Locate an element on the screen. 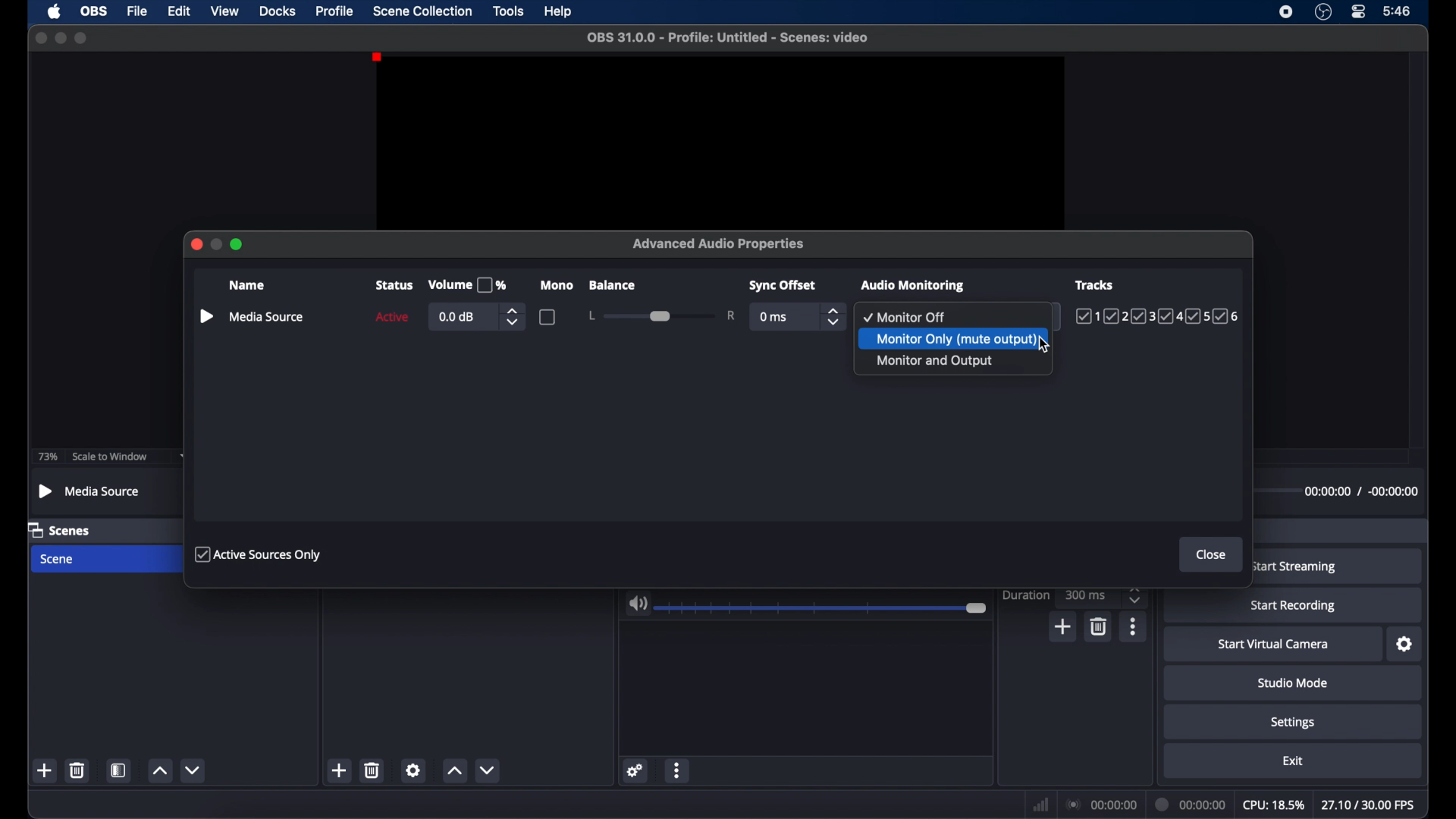 The image size is (1456, 819). audio monitoring is located at coordinates (911, 285).